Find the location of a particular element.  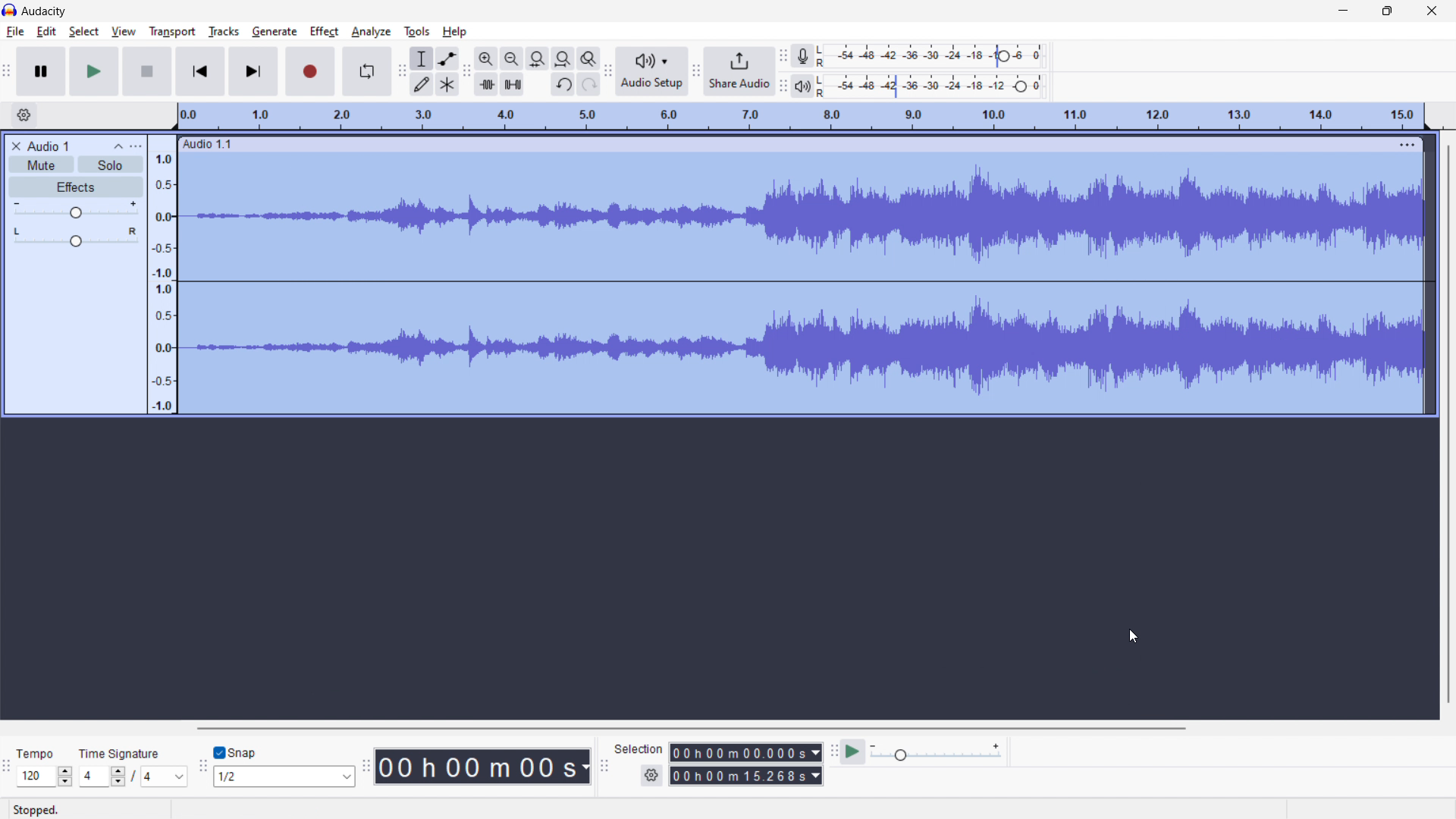

envelop tool is located at coordinates (447, 58).